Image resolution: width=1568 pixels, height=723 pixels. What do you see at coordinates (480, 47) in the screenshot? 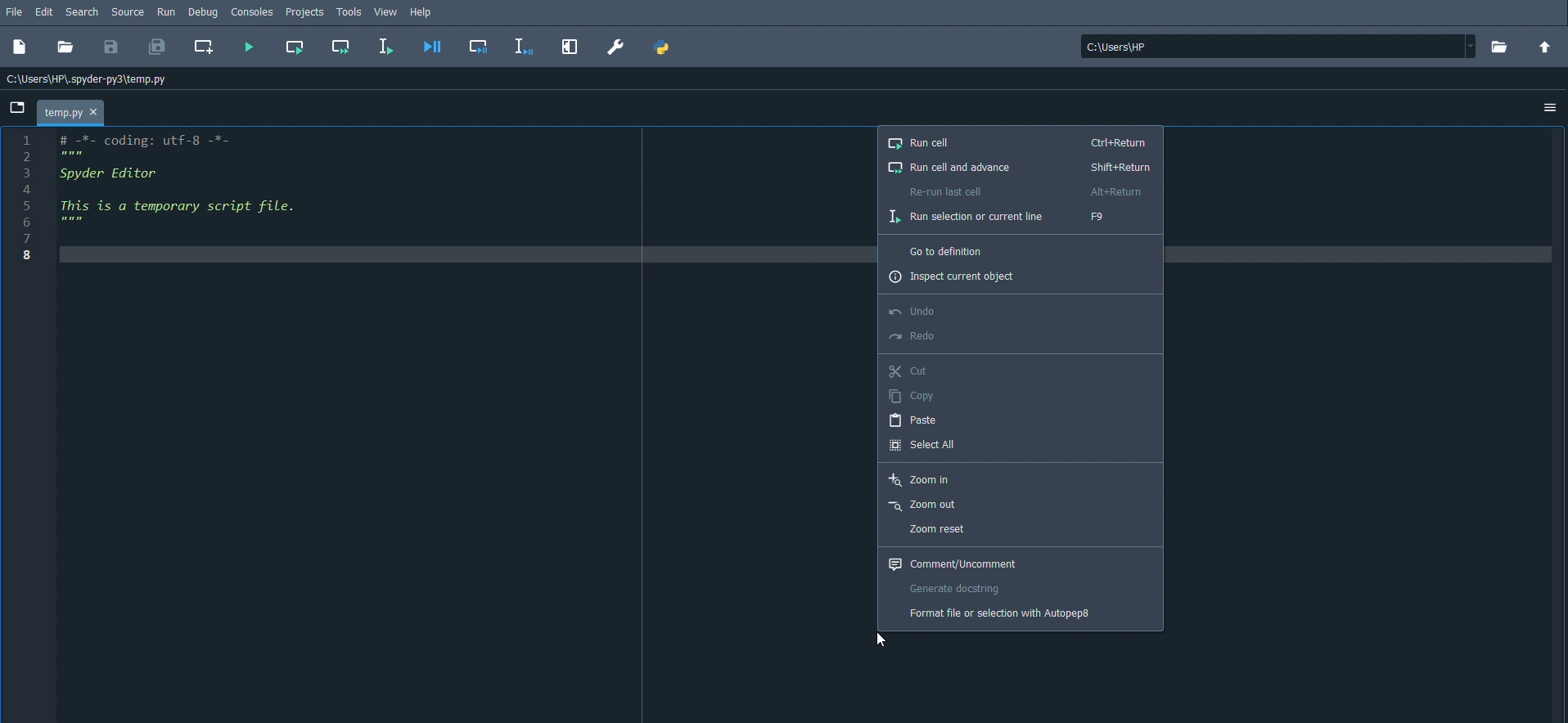
I see `Debug cell` at bounding box center [480, 47].